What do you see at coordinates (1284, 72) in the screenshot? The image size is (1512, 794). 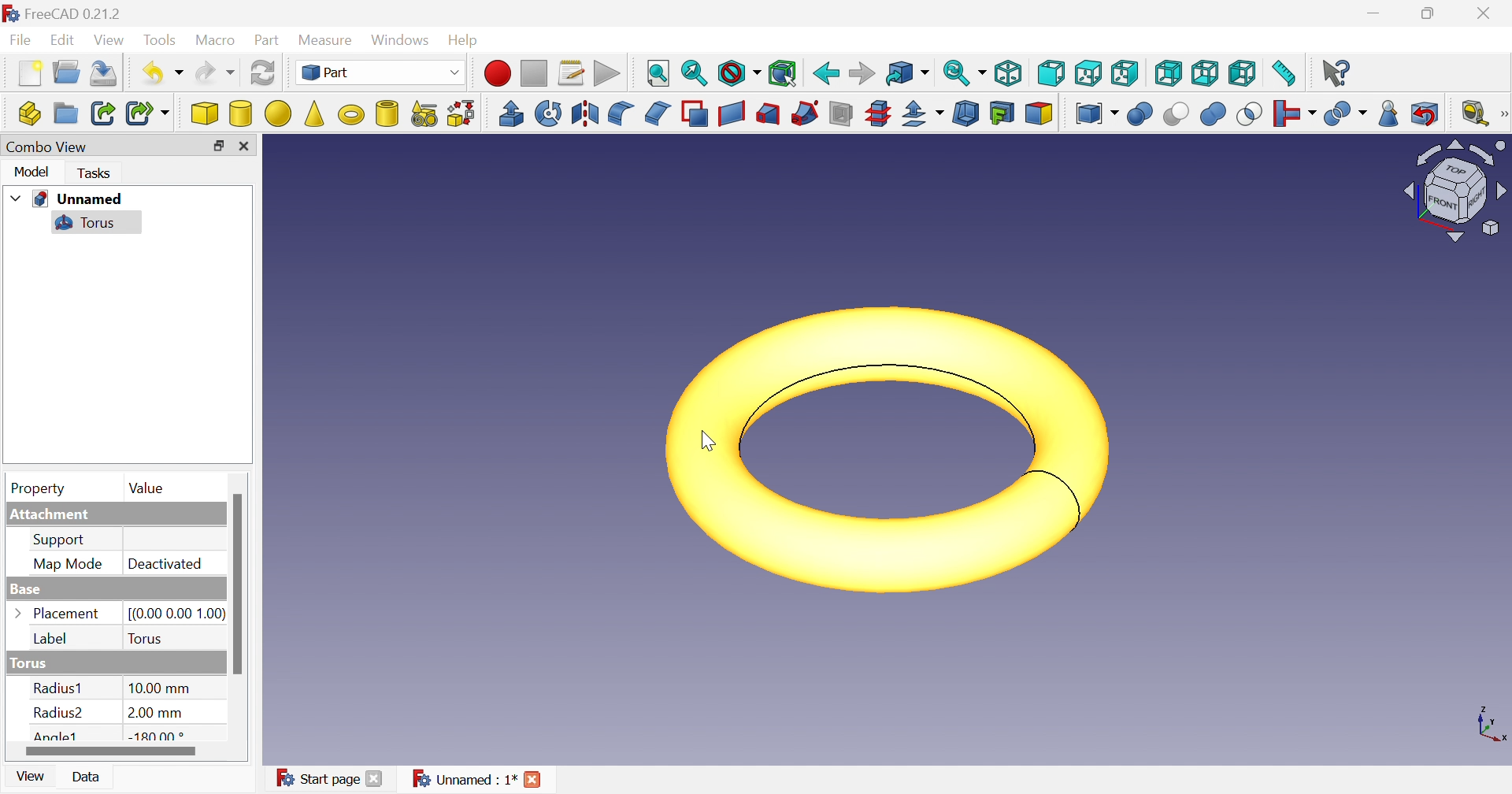 I see `Measure distance` at bounding box center [1284, 72].